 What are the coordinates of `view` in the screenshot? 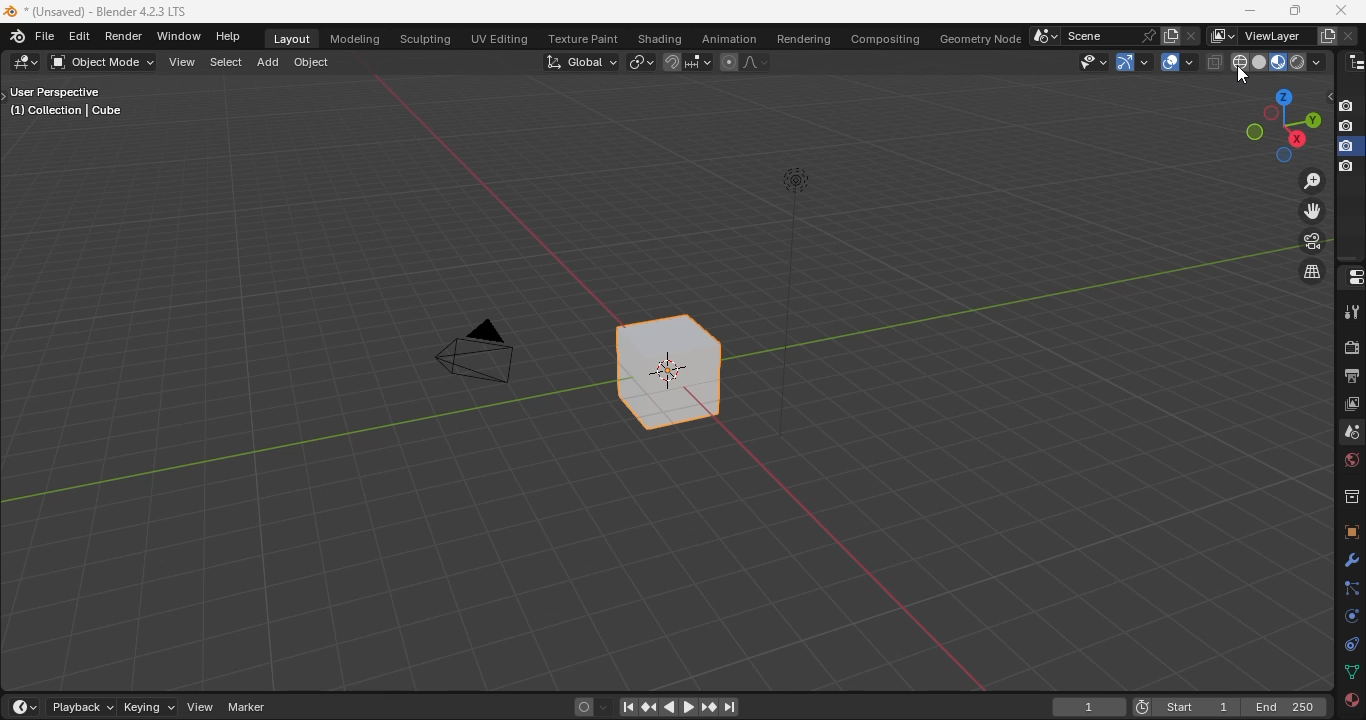 It's located at (182, 62).